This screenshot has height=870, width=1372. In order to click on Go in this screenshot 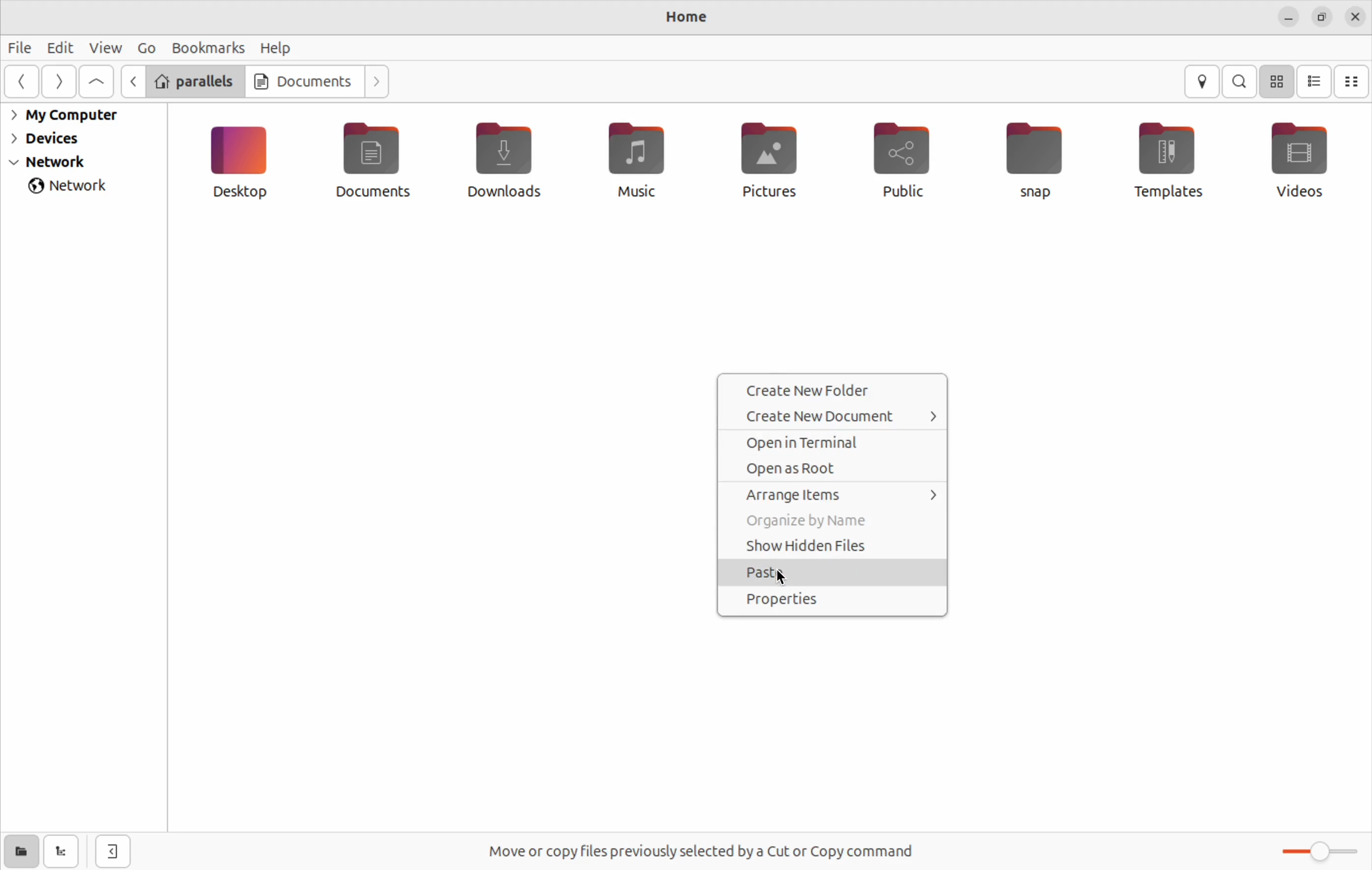, I will do `click(144, 48)`.